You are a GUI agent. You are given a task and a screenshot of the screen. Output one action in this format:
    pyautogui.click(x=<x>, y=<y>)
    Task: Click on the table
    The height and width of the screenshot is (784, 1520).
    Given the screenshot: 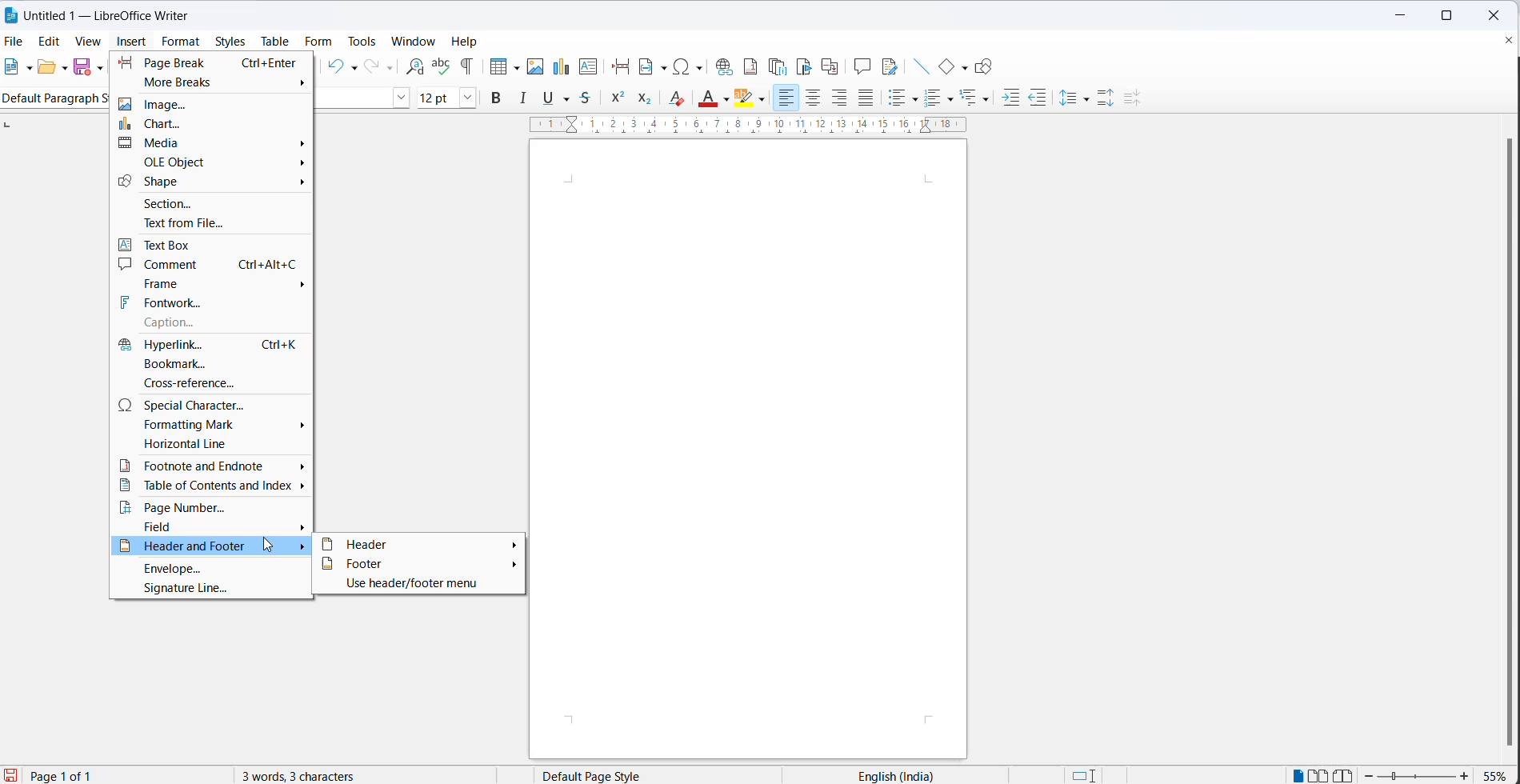 What is the action you would take?
    pyautogui.click(x=275, y=40)
    